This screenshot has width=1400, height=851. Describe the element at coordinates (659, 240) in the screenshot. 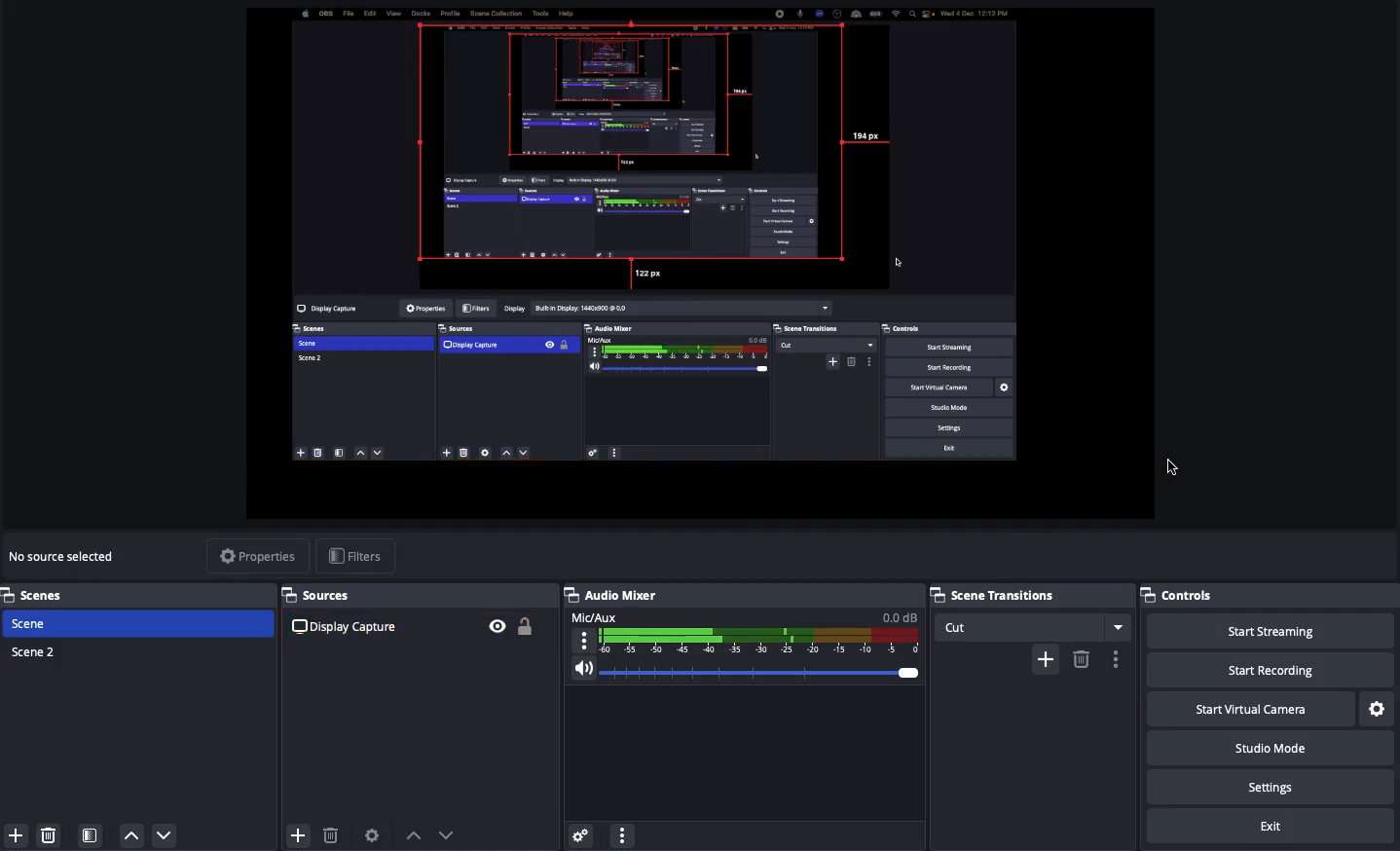

I see `Snapped to edge` at that location.